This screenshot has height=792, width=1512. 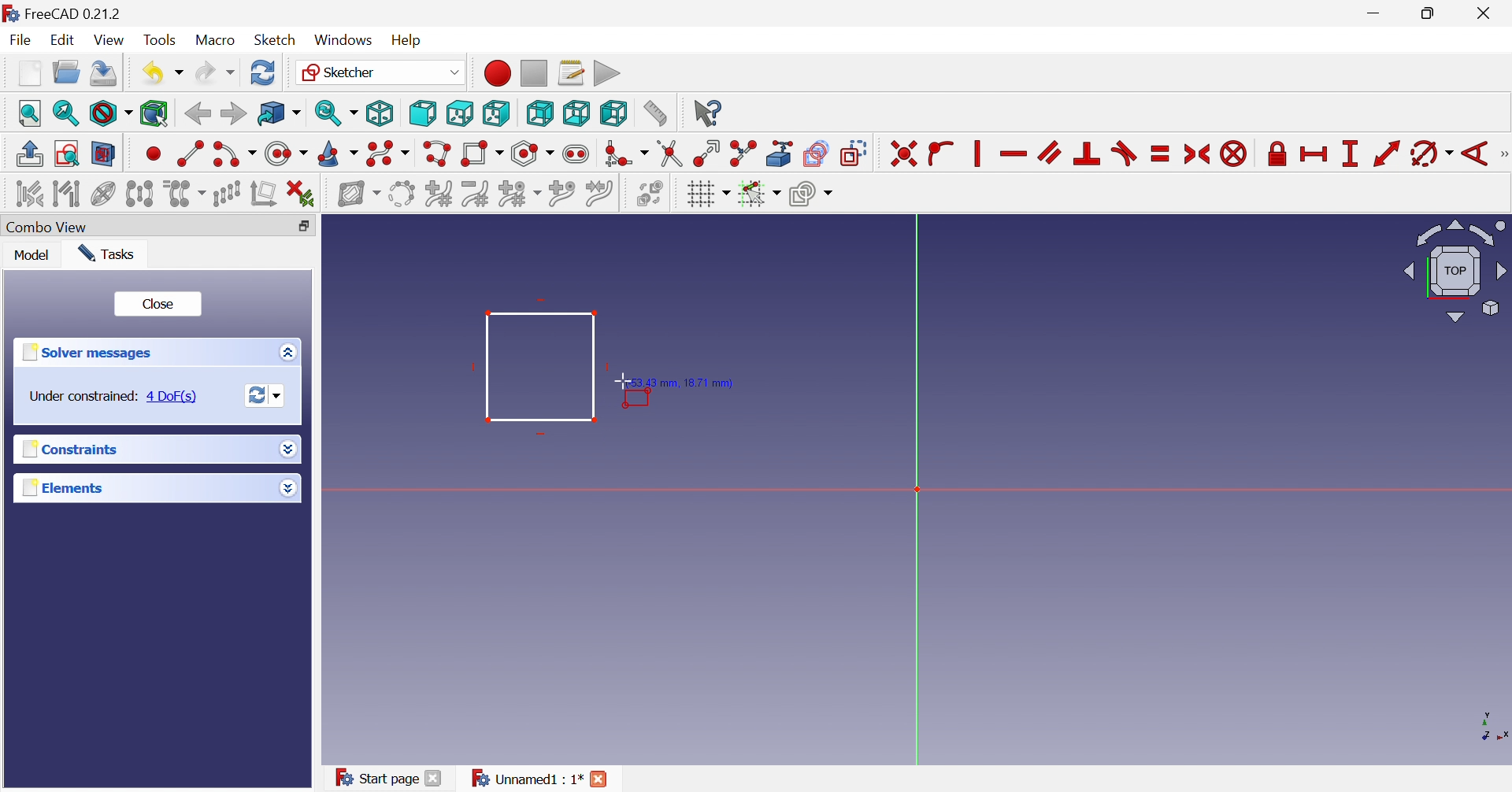 What do you see at coordinates (481, 154) in the screenshot?
I see `Create rectangle` at bounding box center [481, 154].